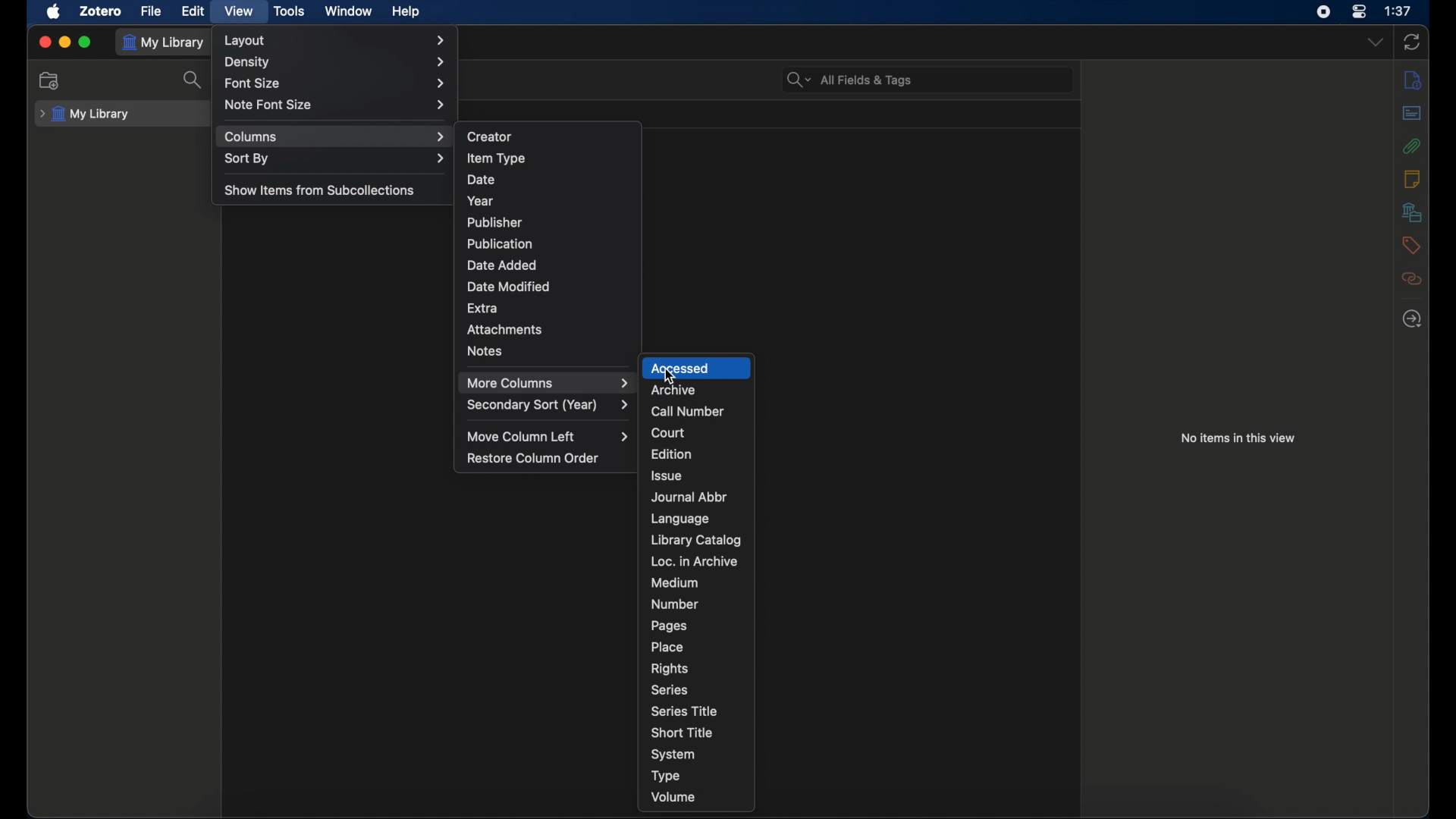 The image size is (1456, 819). What do you see at coordinates (481, 180) in the screenshot?
I see `date` at bounding box center [481, 180].